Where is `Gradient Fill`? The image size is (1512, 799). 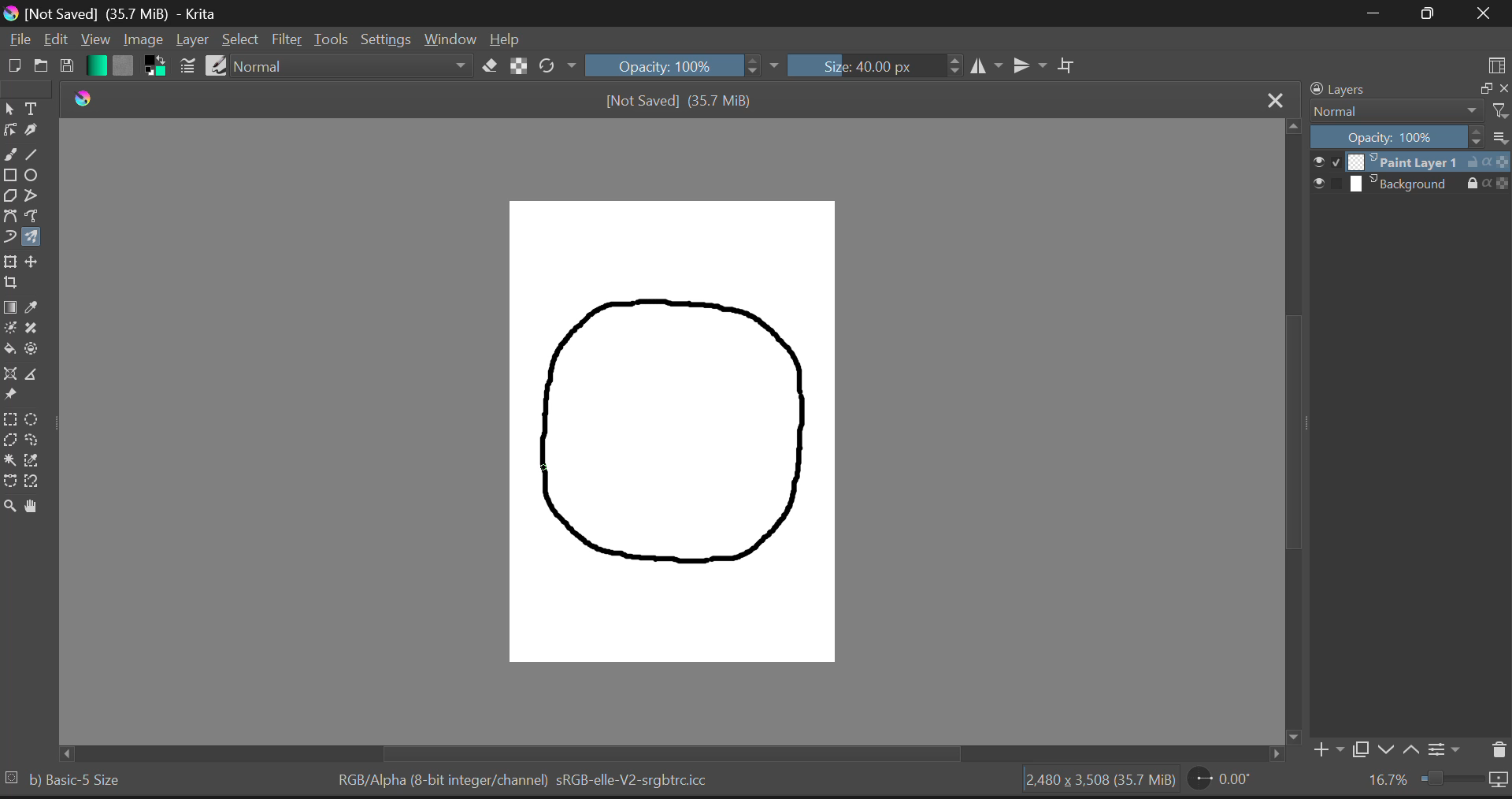 Gradient Fill is located at coordinates (11, 307).